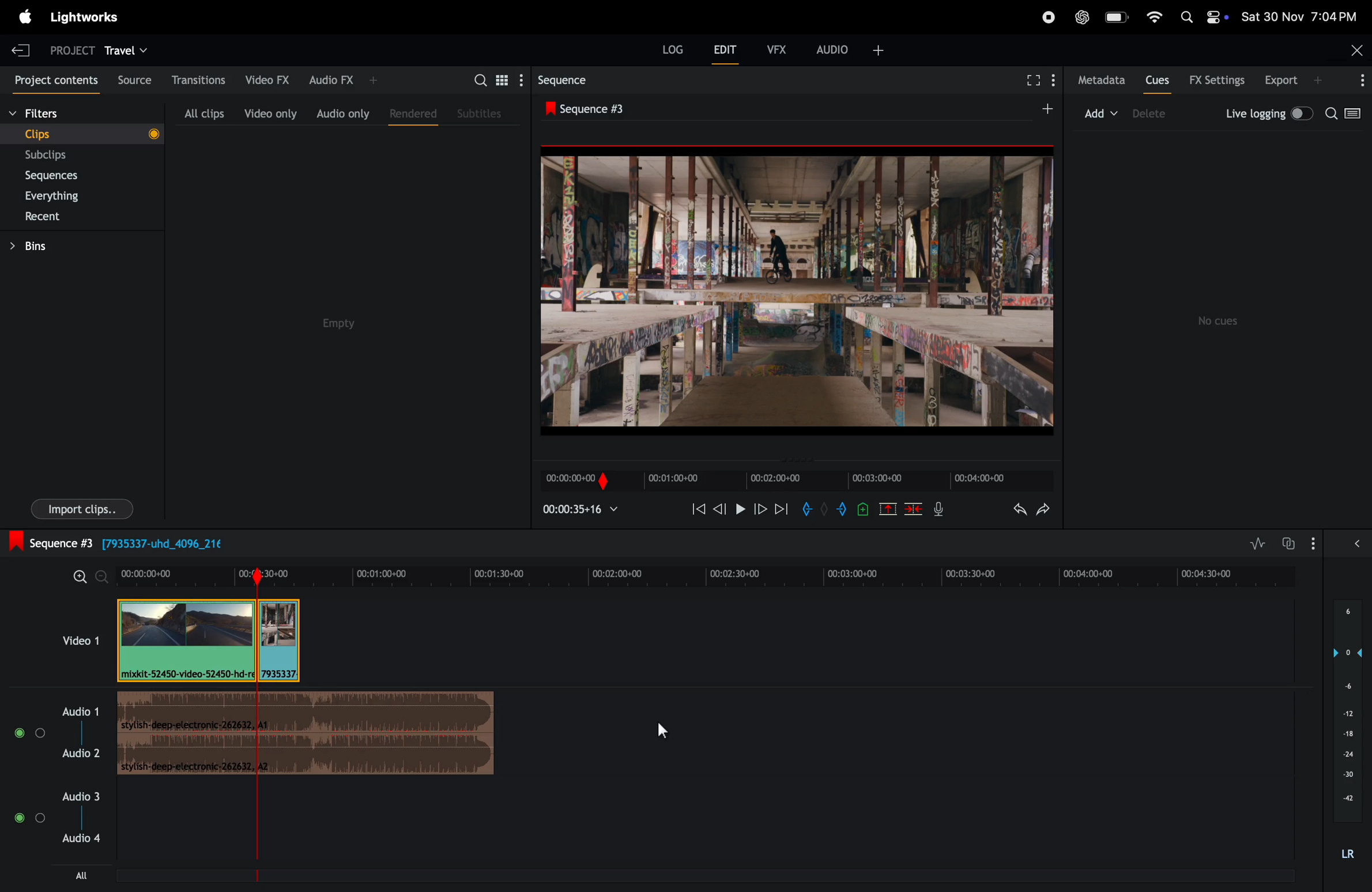  I want to click on bins, so click(47, 245).